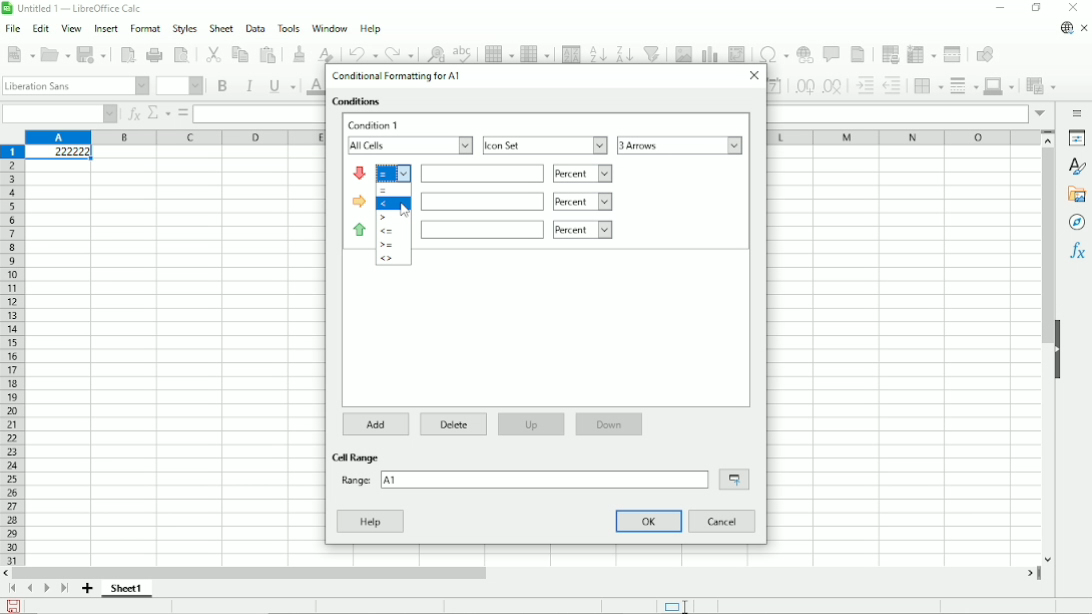 This screenshot has height=614, width=1092. I want to click on Icon set, so click(545, 145).